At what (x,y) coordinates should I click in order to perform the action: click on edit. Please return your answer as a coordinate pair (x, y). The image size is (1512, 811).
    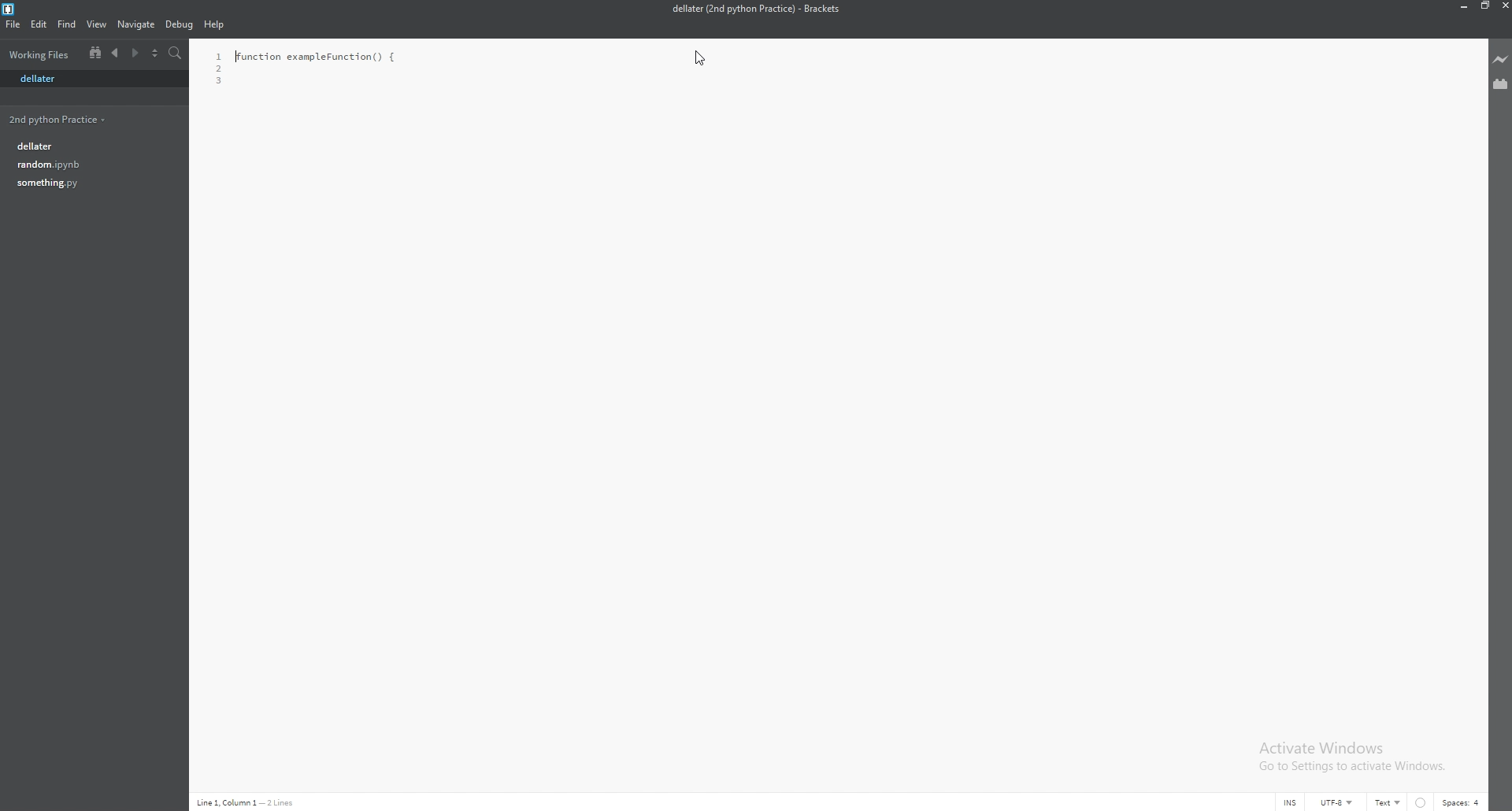
    Looking at the image, I should click on (41, 25).